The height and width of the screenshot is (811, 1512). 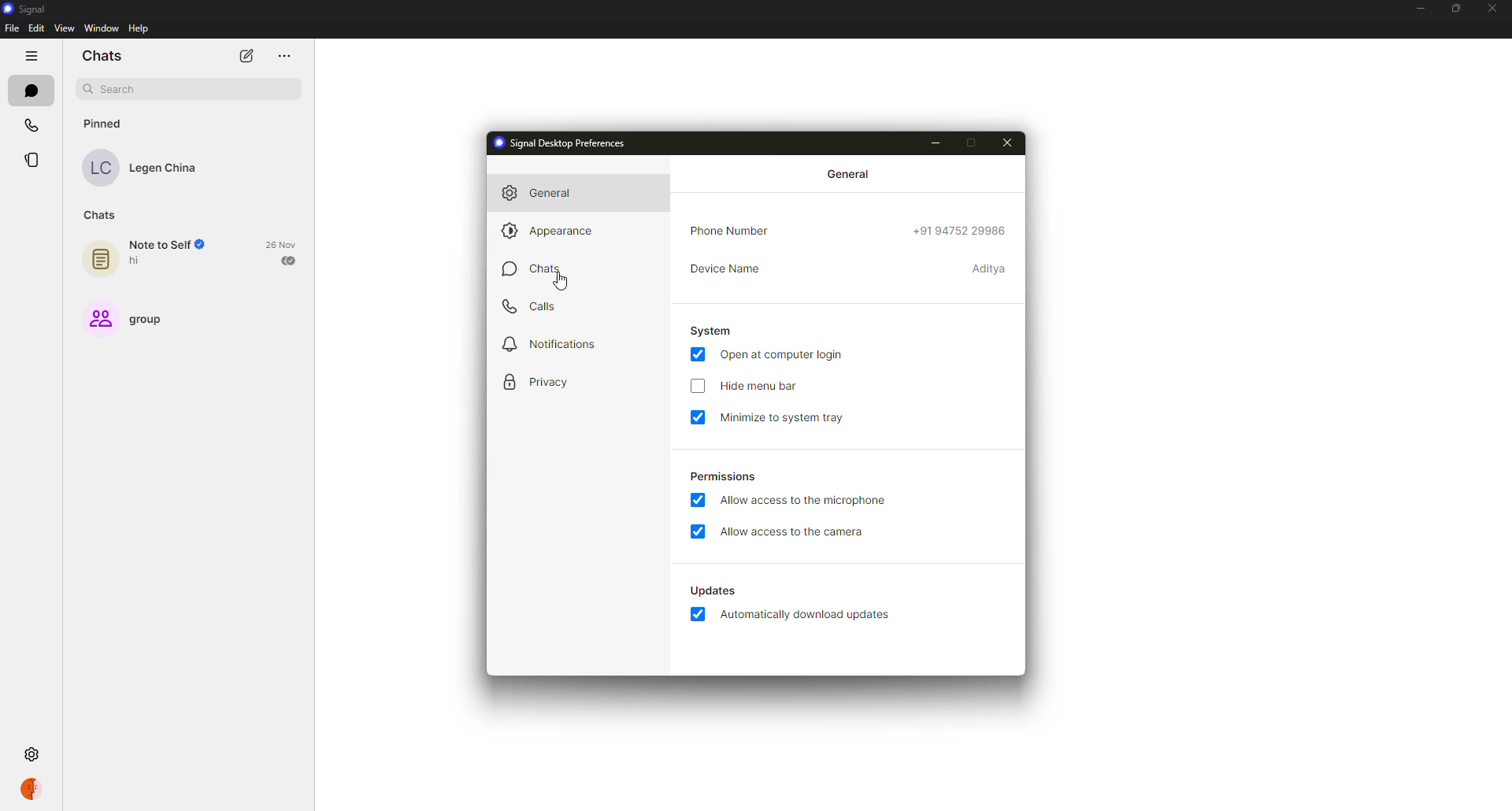 What do you see at coordinates (157, 255) in the screenshot?
I see `note to self` at bounding box center [157, 255].